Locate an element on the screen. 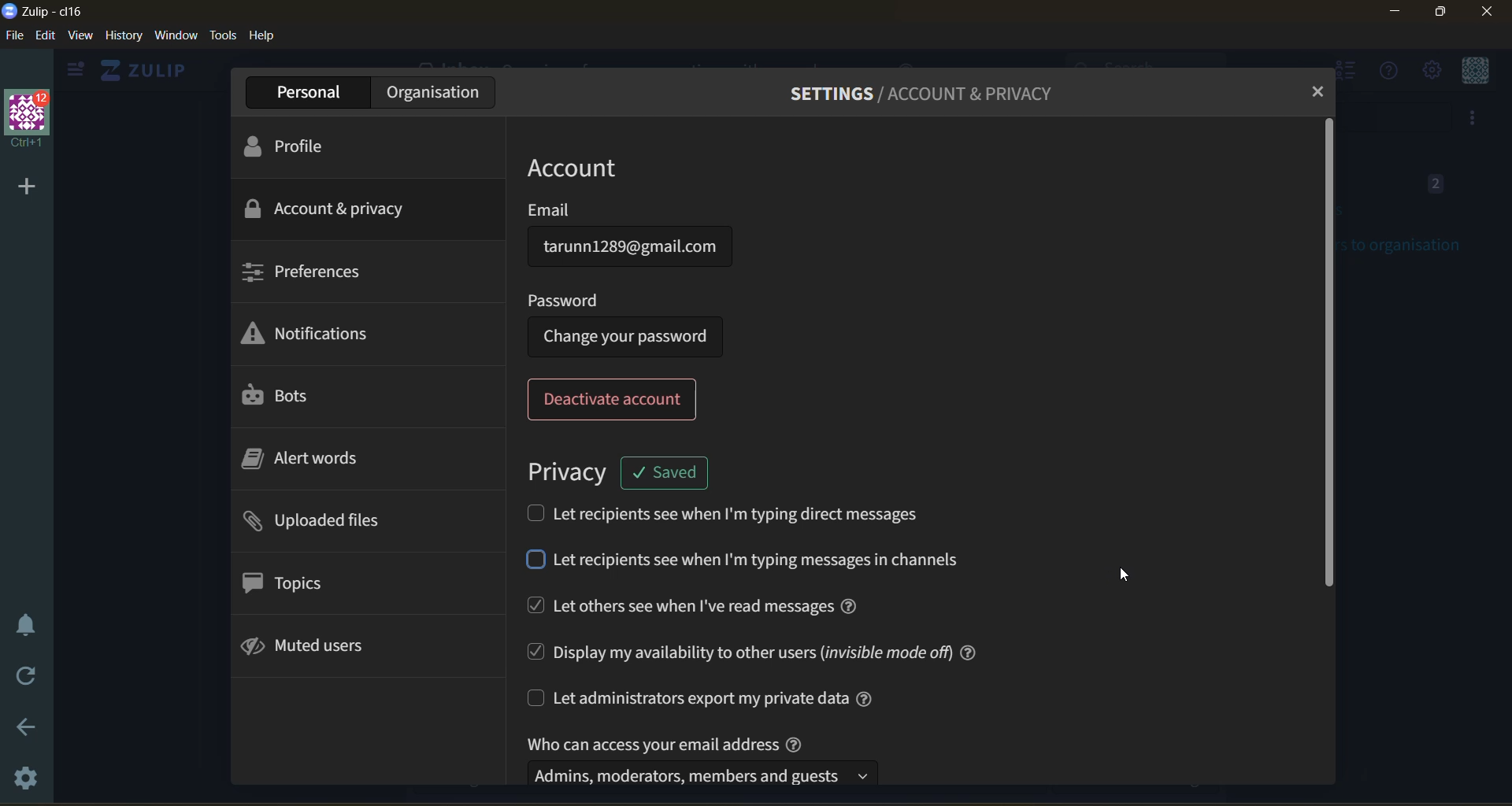 Image resolution: width=1512 pixels, height=806 pixels. view is located at coordinates (80, 38).